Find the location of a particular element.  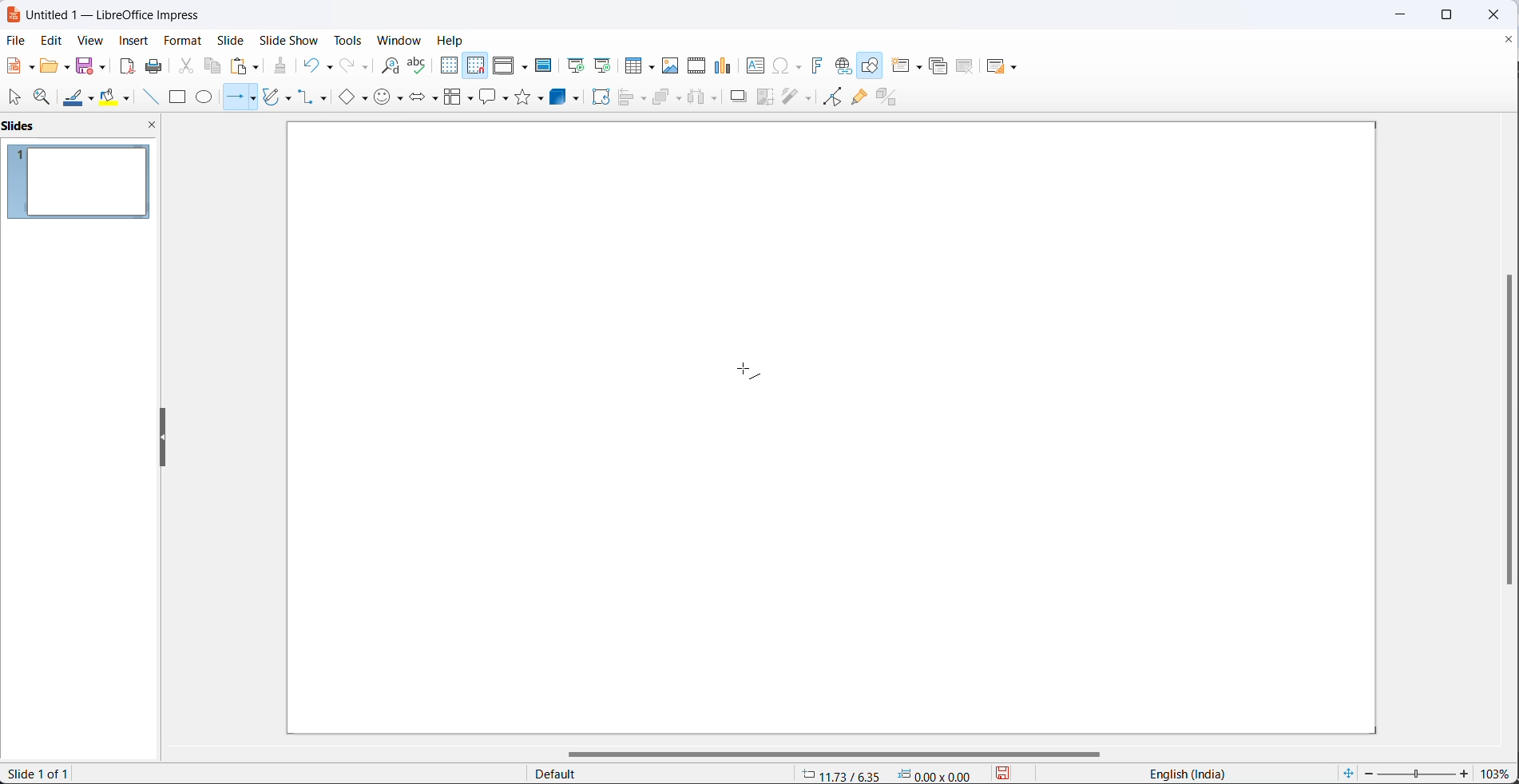

toggle end point edit mode is located at coordinates (828, 97).